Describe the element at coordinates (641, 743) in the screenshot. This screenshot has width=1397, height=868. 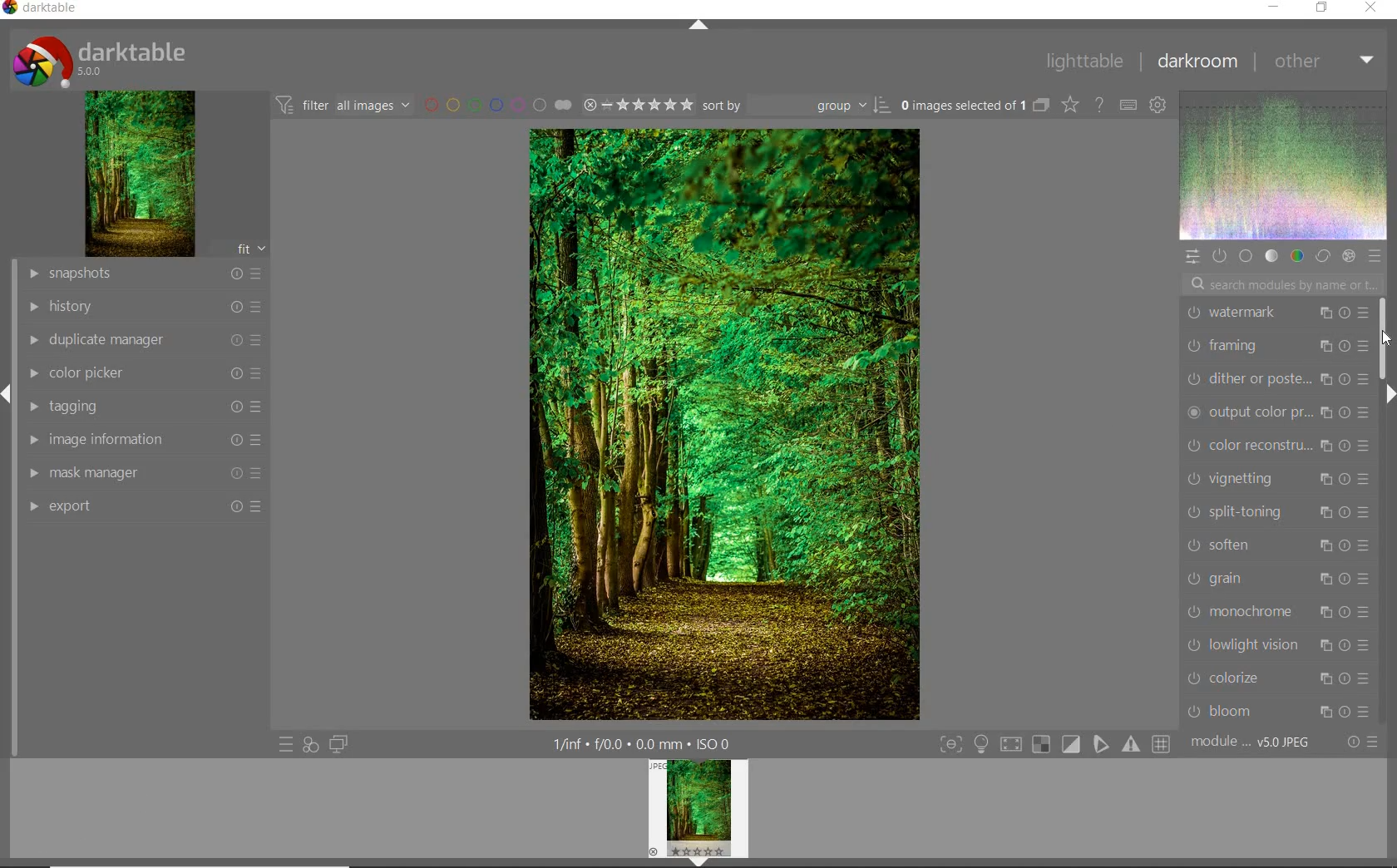
I see `OTHER INTERFACE DETAILS` at that location.